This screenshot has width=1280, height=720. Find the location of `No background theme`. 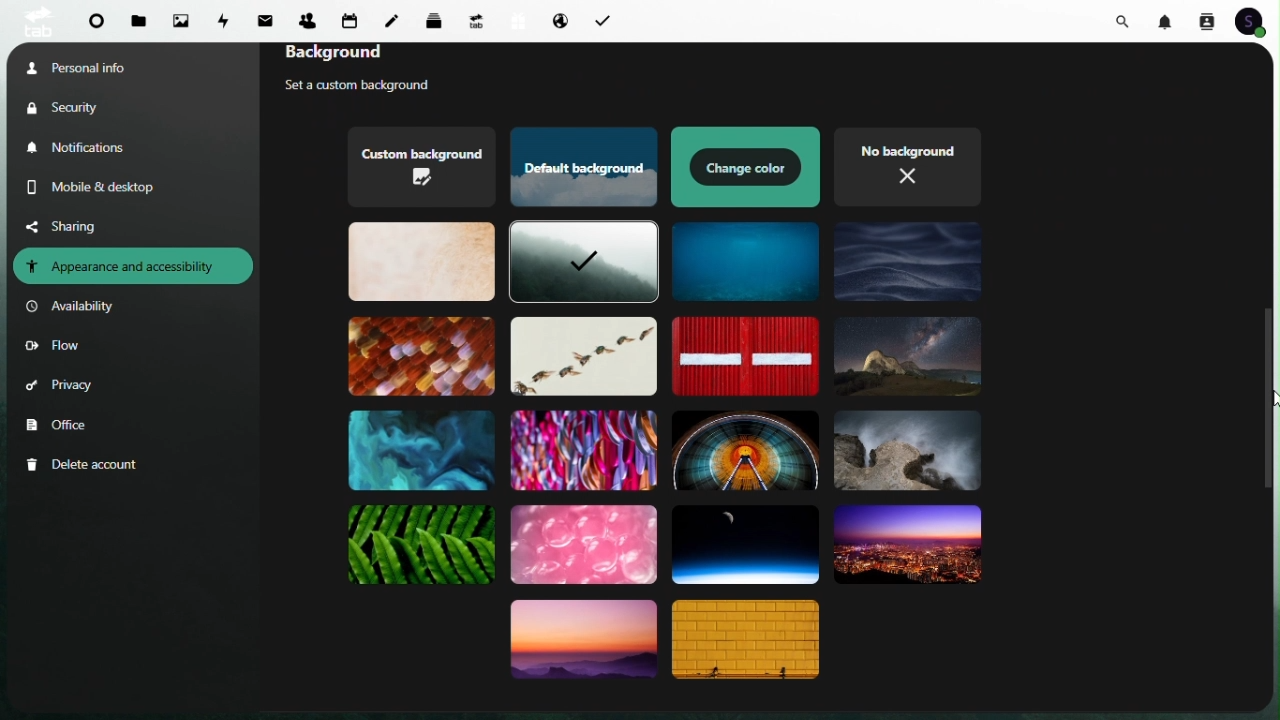

No background theme is located at coordinates (911, 165).